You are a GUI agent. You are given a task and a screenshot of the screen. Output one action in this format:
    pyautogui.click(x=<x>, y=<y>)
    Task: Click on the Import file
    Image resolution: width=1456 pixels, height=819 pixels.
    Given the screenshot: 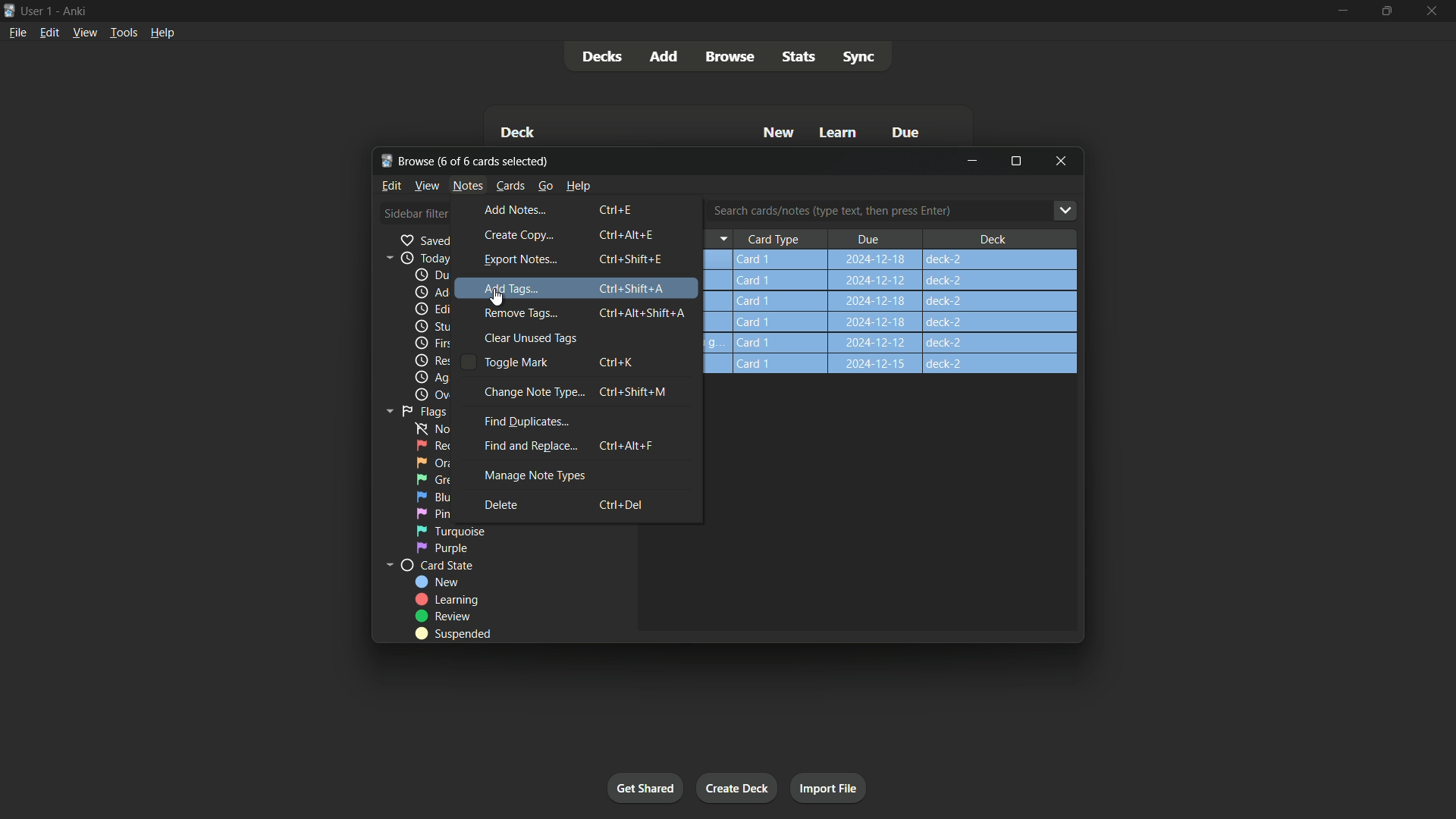 What is the action you would take?
    pyautogui.click(x=830, y=789)
    